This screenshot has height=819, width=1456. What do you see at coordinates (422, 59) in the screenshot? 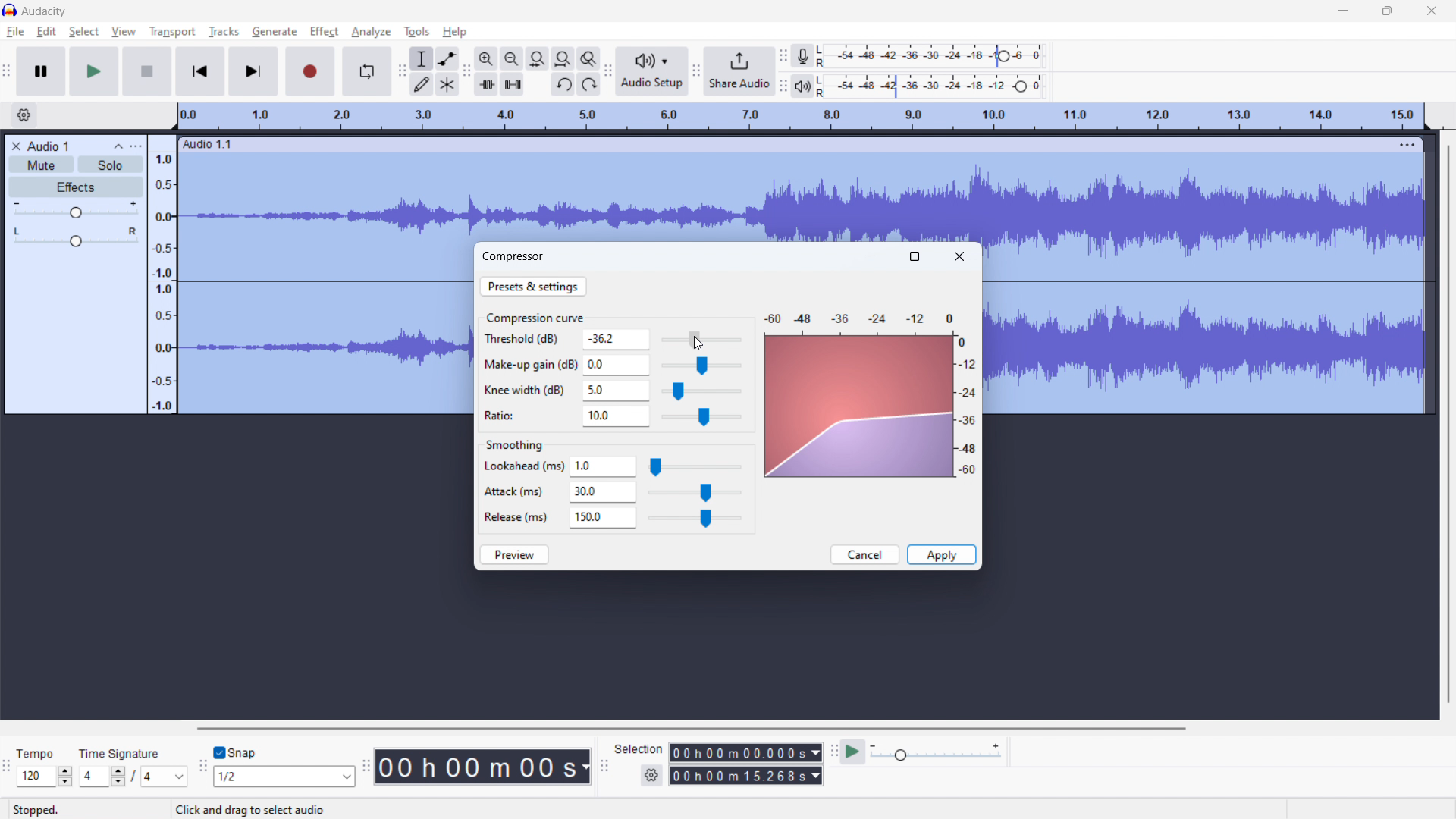
I see `selection tool` at bounding box center [422, 59].